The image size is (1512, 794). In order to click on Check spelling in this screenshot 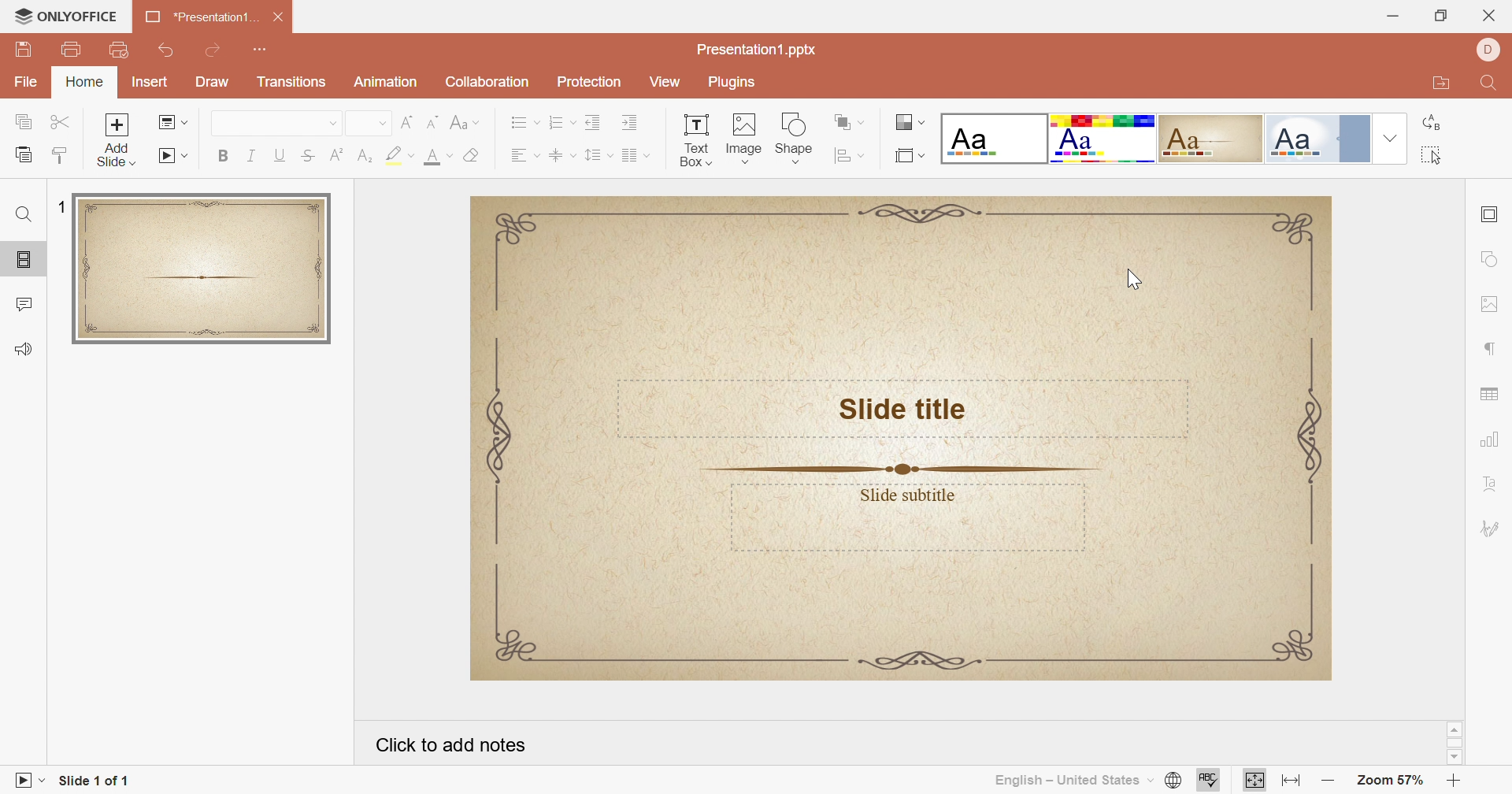, I will do `click(1210, 781)`.